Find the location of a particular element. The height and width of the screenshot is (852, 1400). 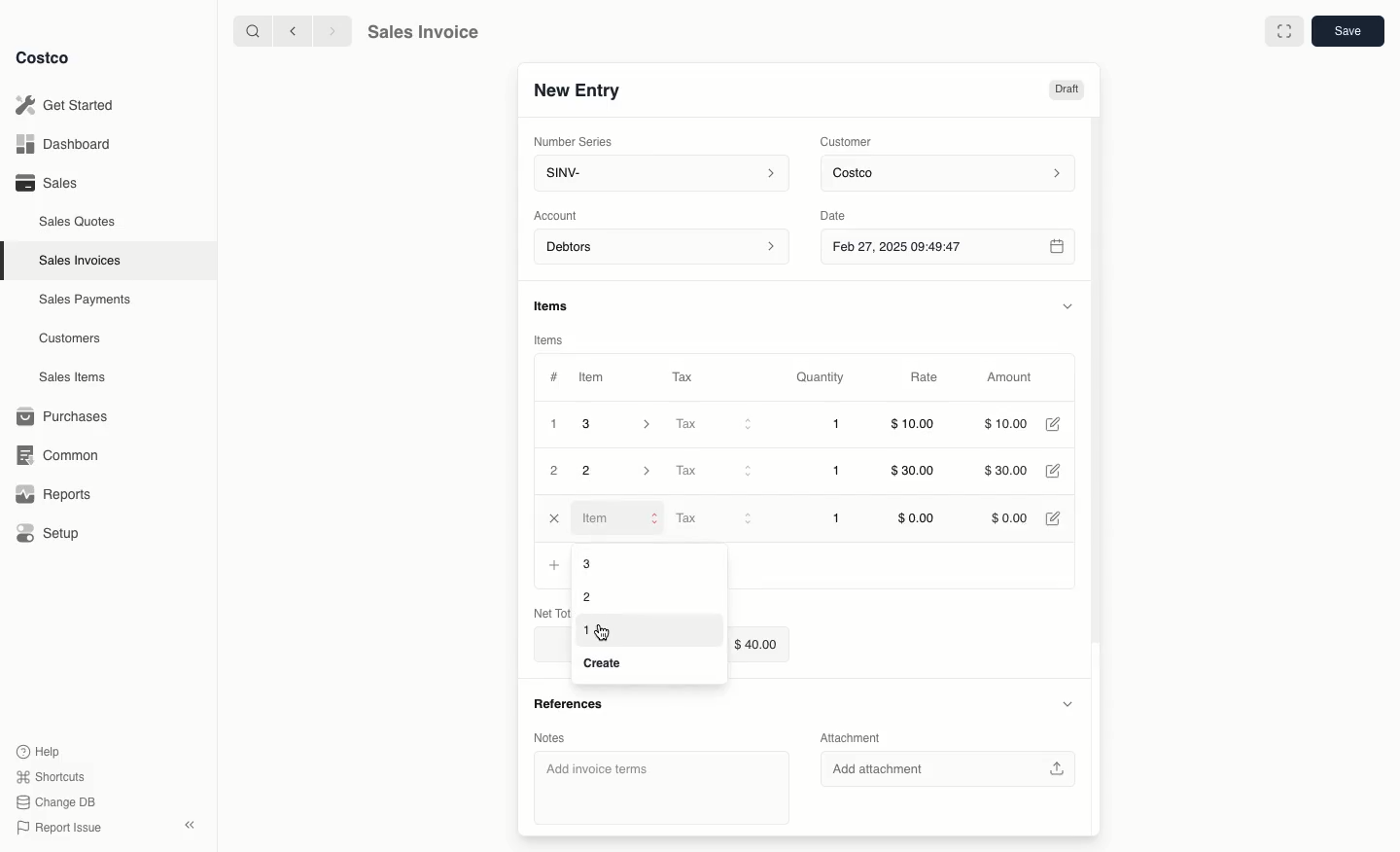

Full width toggle is located at coordinates (1283, 31).